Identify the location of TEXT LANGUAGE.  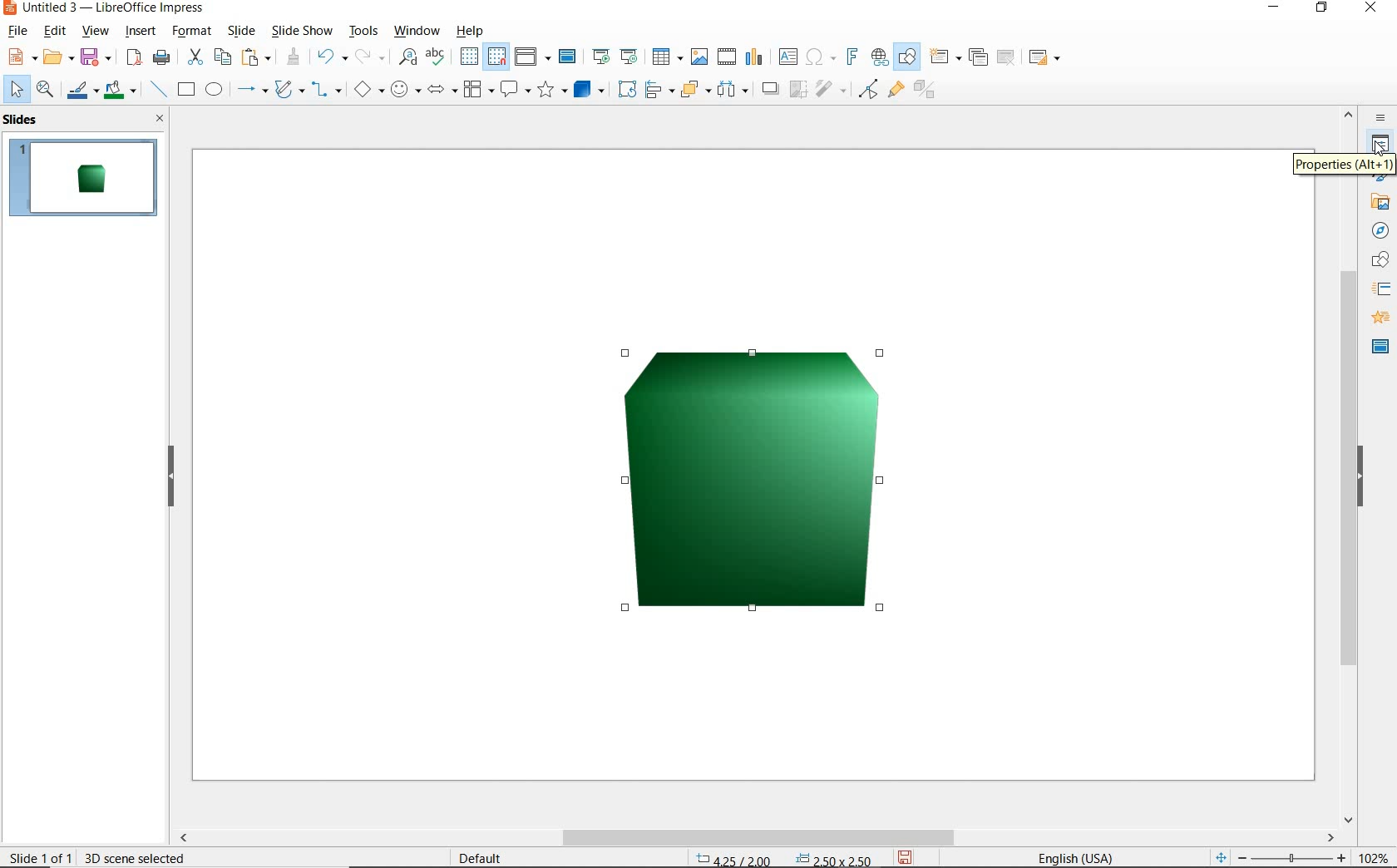
(1078, 856).